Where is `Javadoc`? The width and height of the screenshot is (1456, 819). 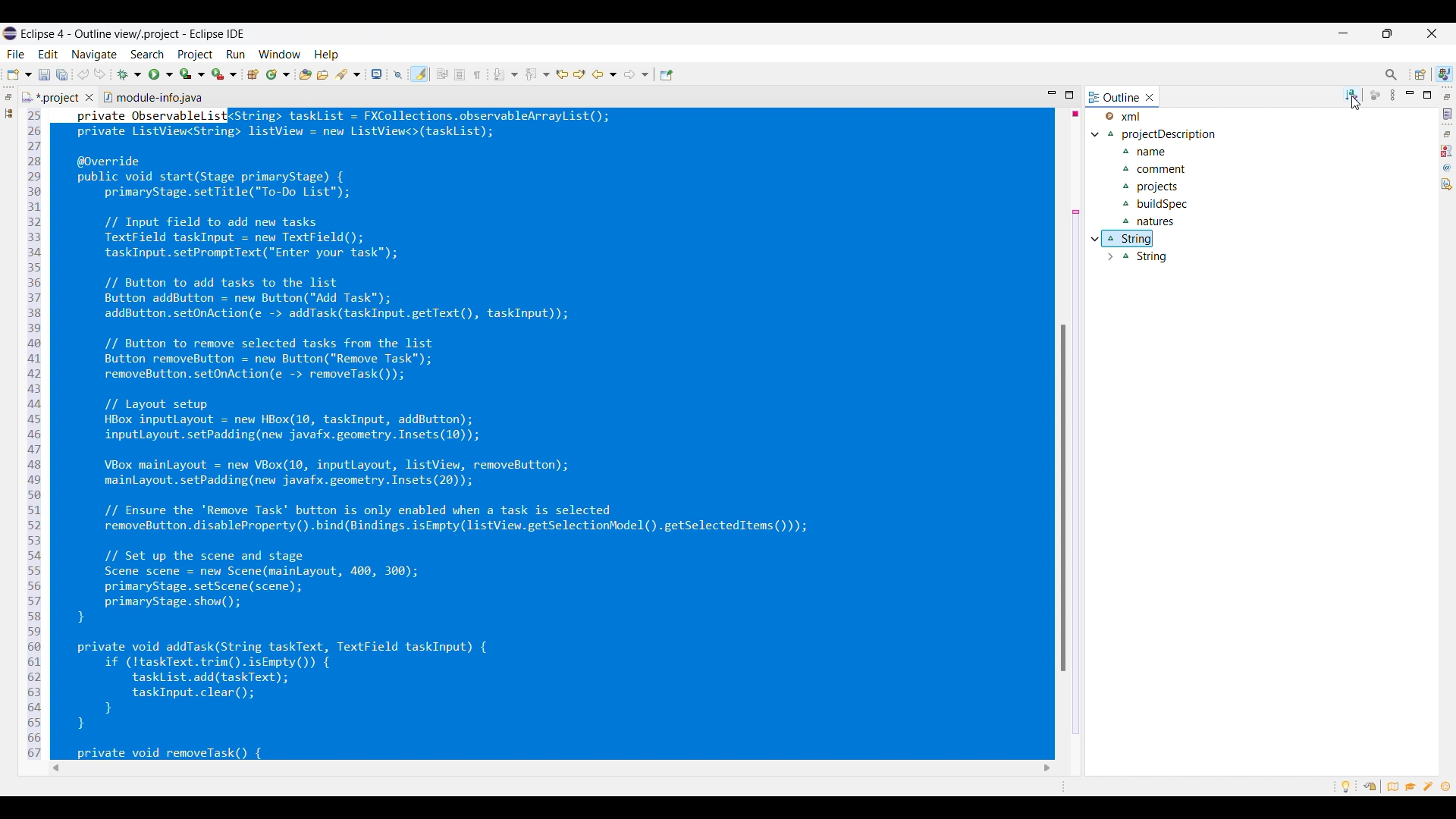
Javadoc is located at coordinates (1448, 168).